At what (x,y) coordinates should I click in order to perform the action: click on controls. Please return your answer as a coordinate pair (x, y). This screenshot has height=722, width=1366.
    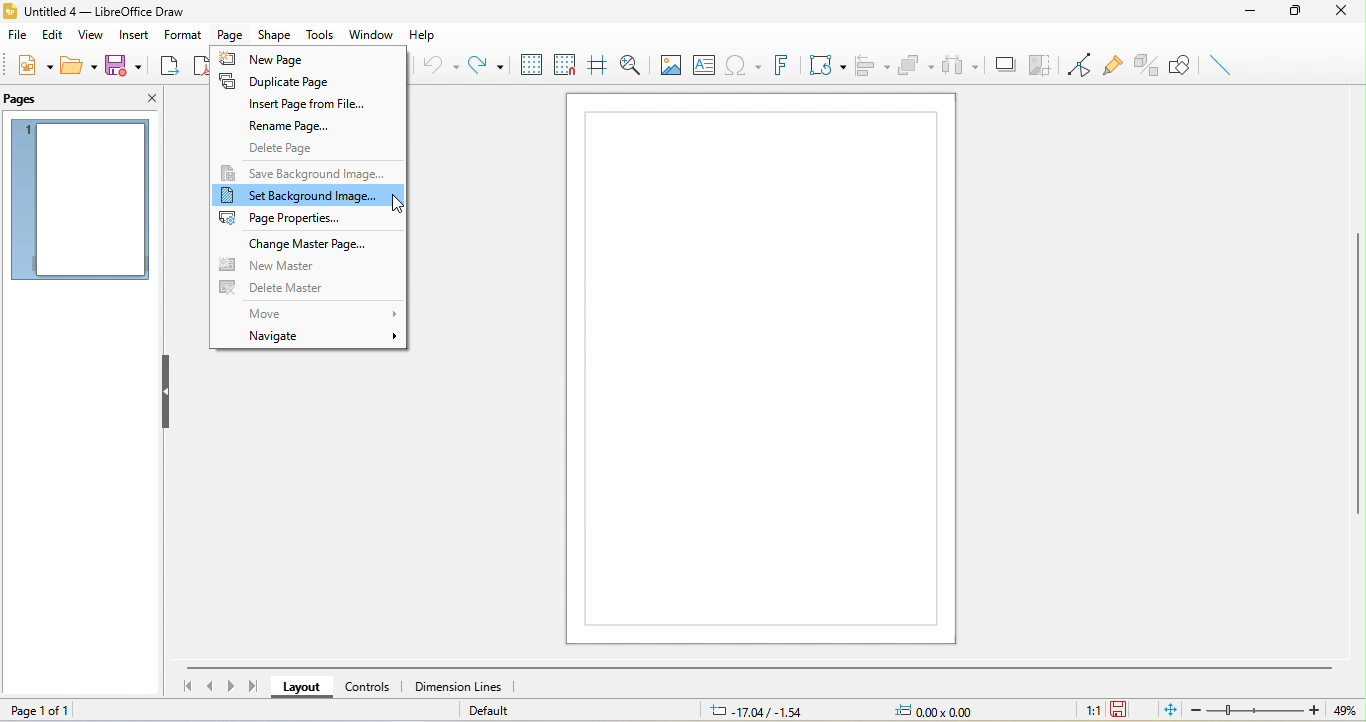
    Looking at the image, I should click on (374, 689).